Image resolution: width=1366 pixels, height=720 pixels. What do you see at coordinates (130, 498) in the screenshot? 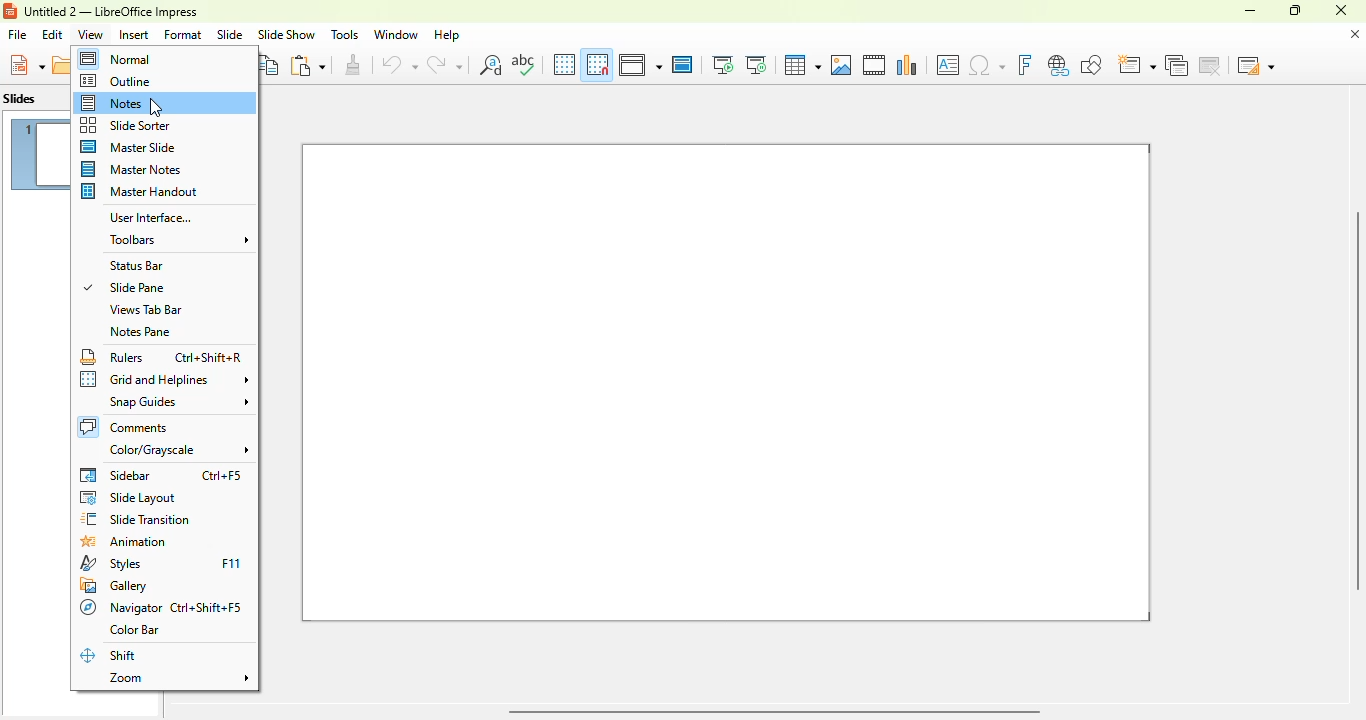
I see `slide layout` at bounding box center [130, 498].